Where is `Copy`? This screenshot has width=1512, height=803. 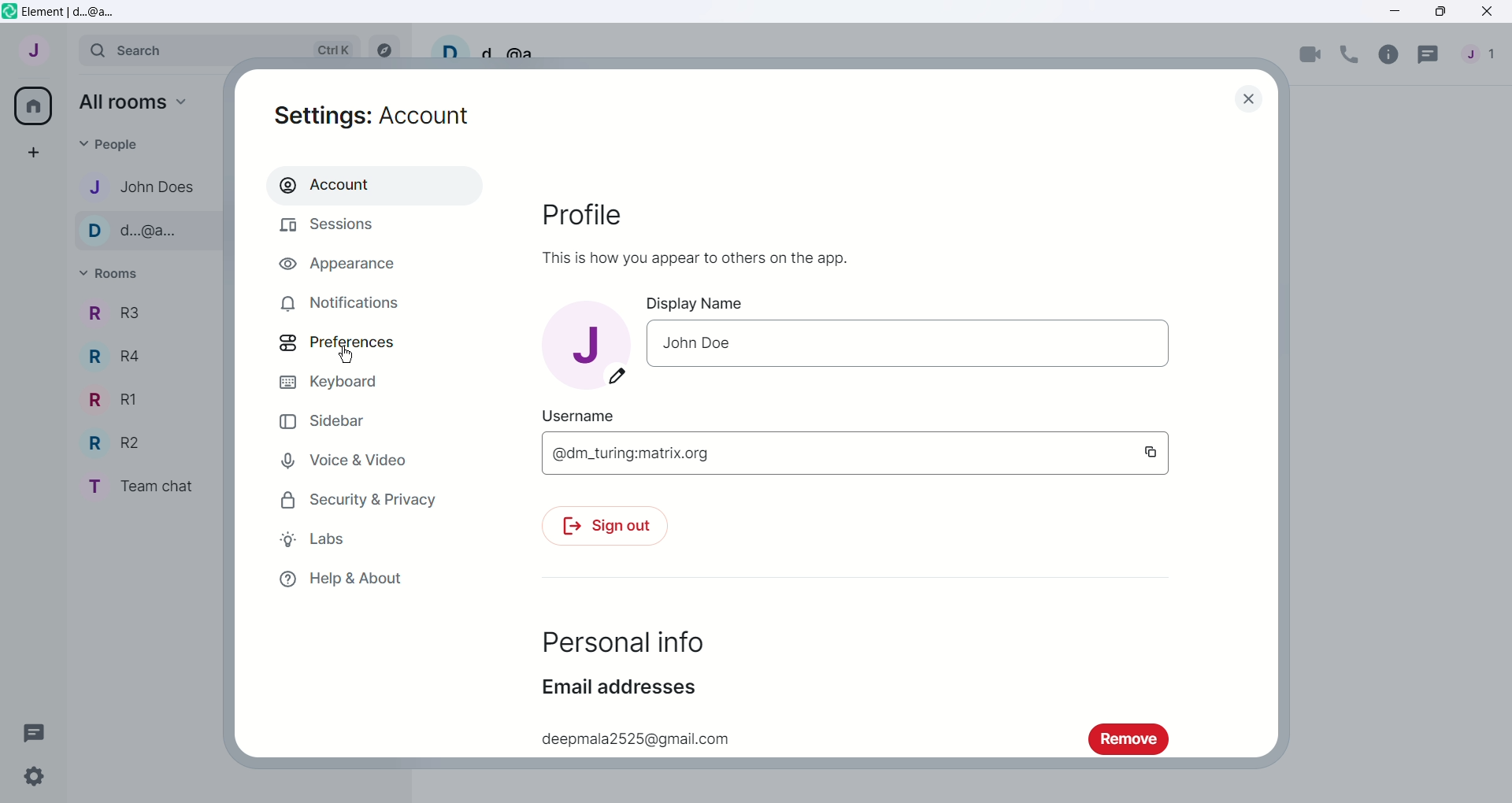 Copy is located at coordinates (1150, 452).